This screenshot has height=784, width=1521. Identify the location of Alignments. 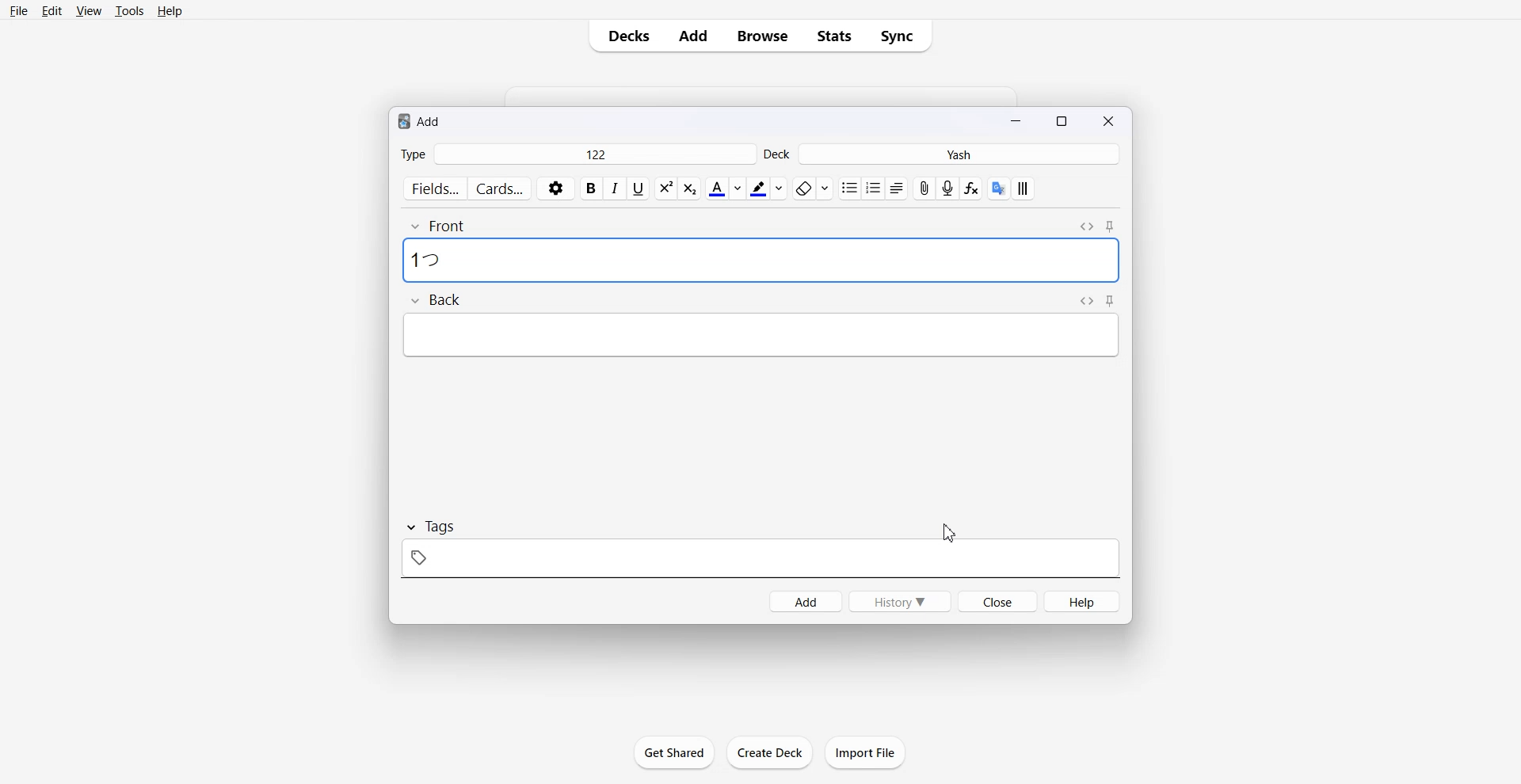
(897, 188).